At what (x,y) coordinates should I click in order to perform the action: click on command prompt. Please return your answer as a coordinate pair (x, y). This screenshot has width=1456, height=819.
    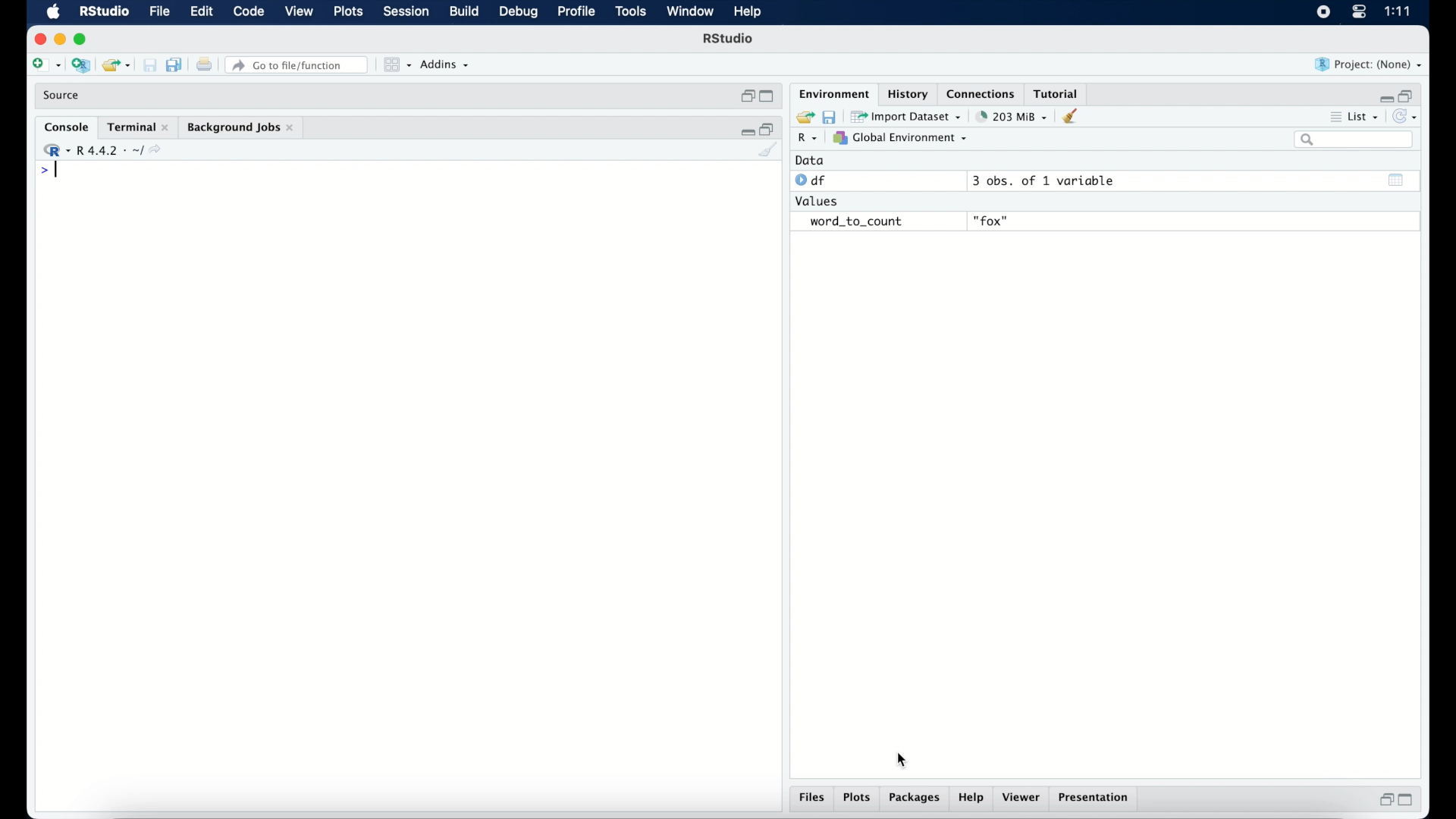
    Looking at the image, I should click on (45, 171).